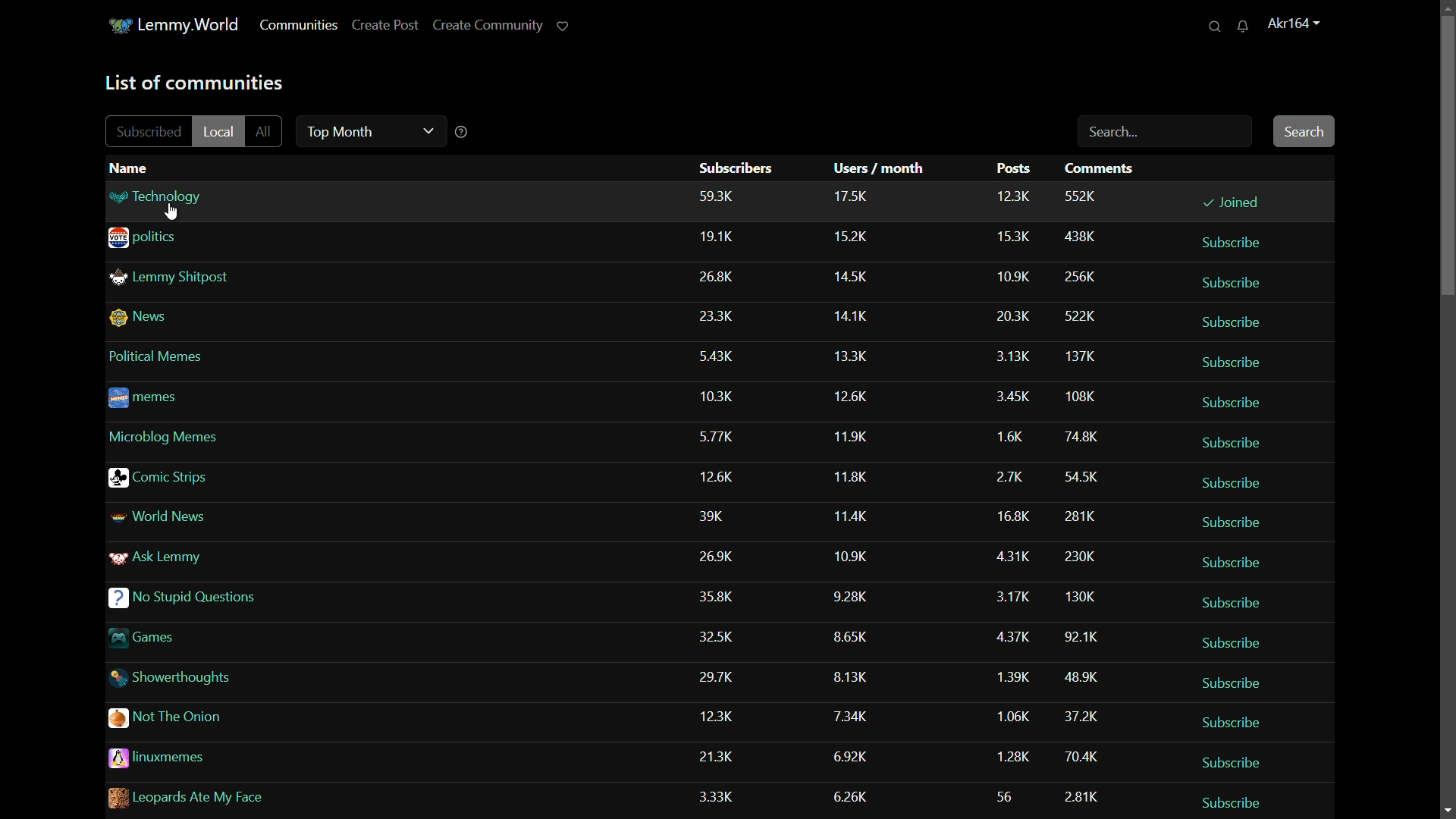 This screenshot has height=819, width=1456. I want to click on top month, so click(368, 133).